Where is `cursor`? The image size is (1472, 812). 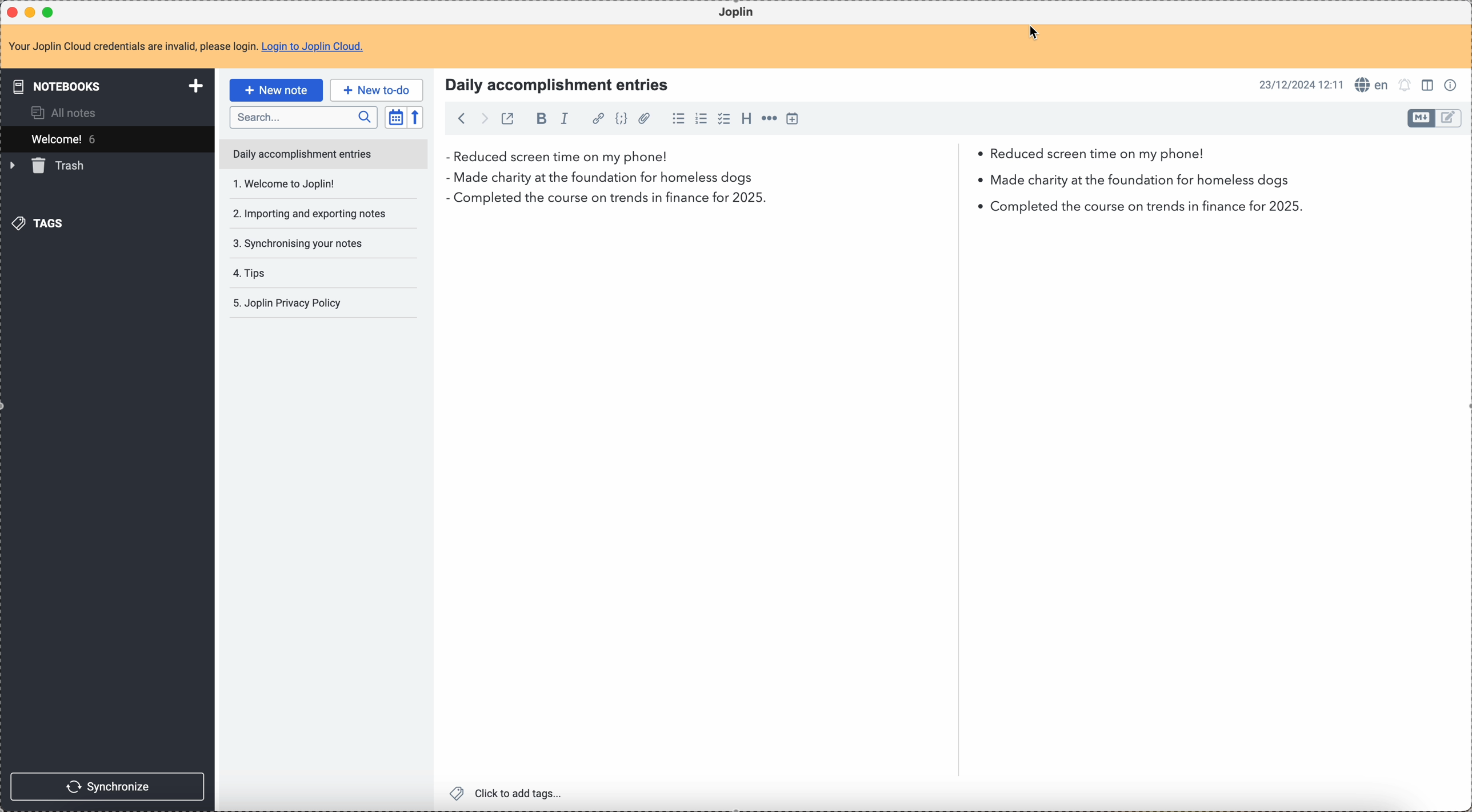
cursor is located at coordinates (1037, 33).